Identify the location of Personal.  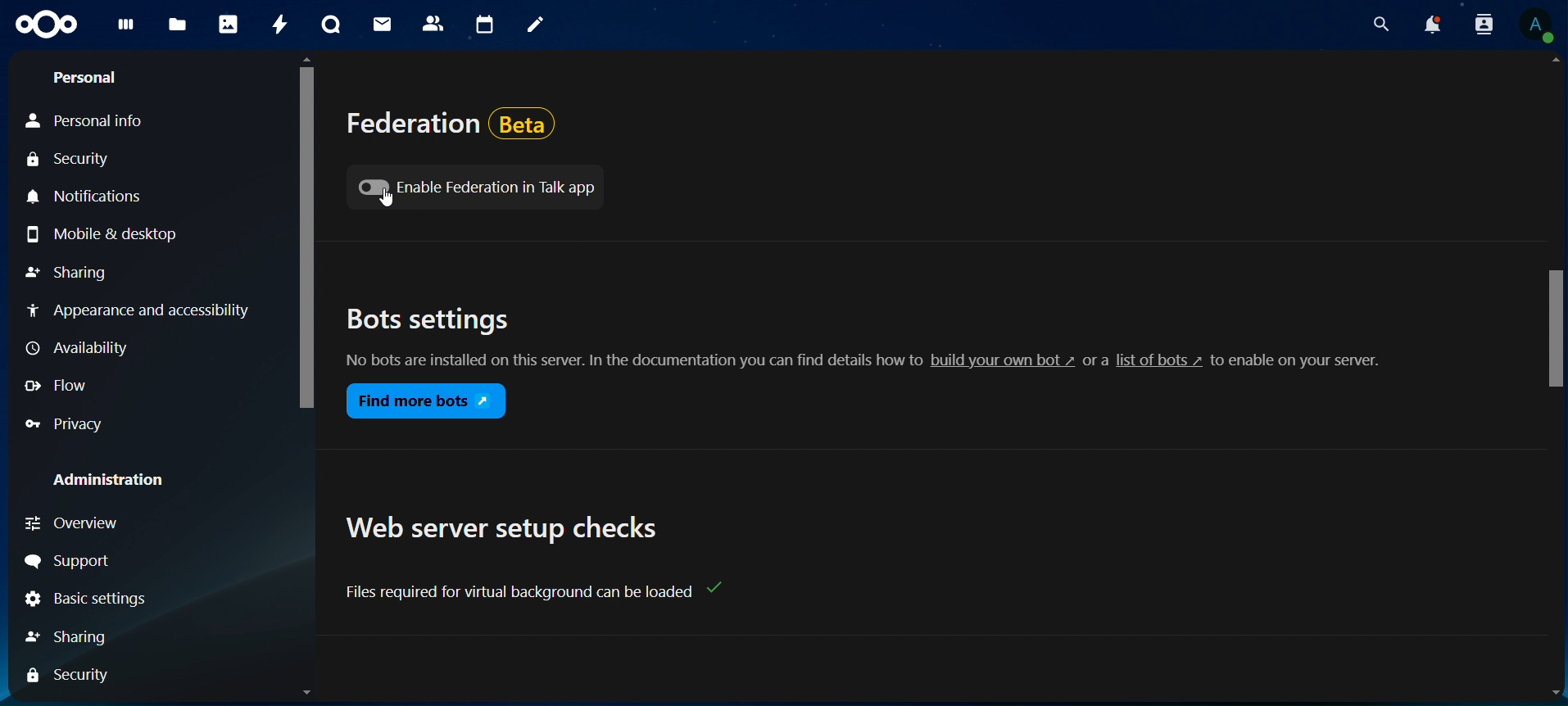
(88, 78).